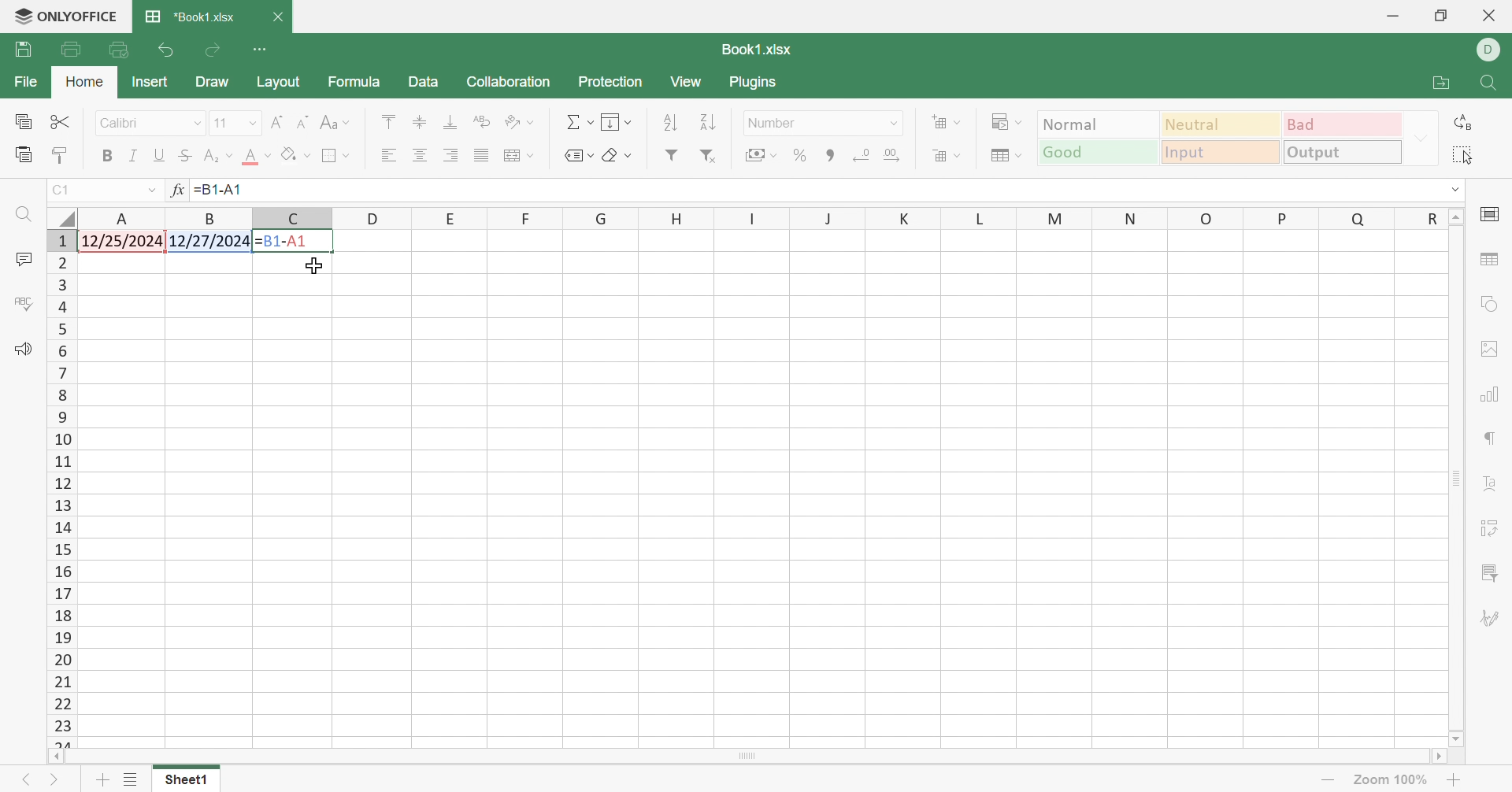  Describe the element at coordinates (83, 83) in the screenshot. I see `Home` at that location.